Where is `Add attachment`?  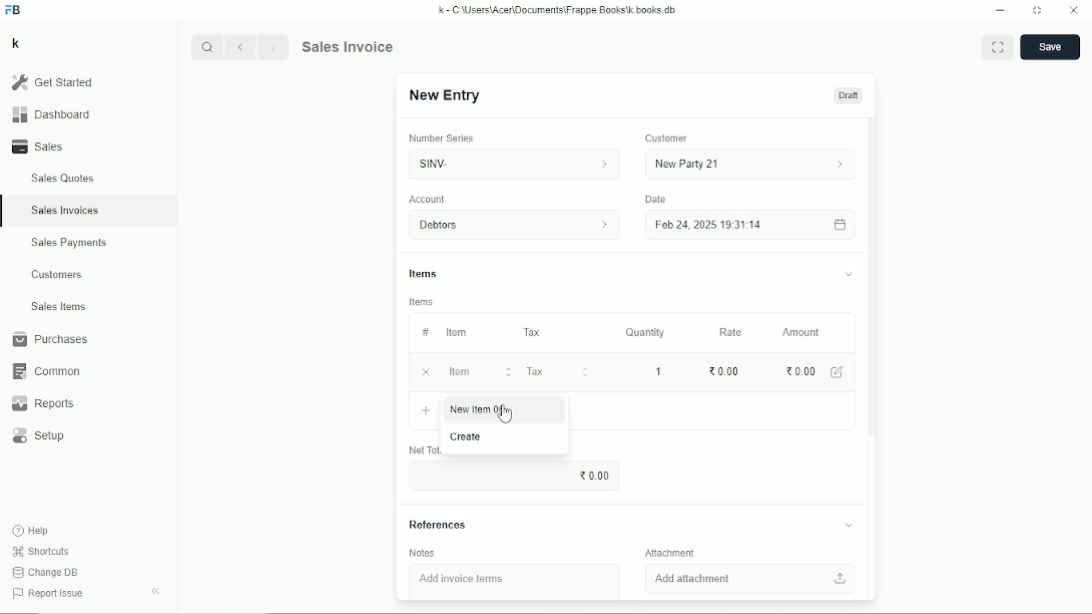
Add attachment is located at coordinates (753, 578).